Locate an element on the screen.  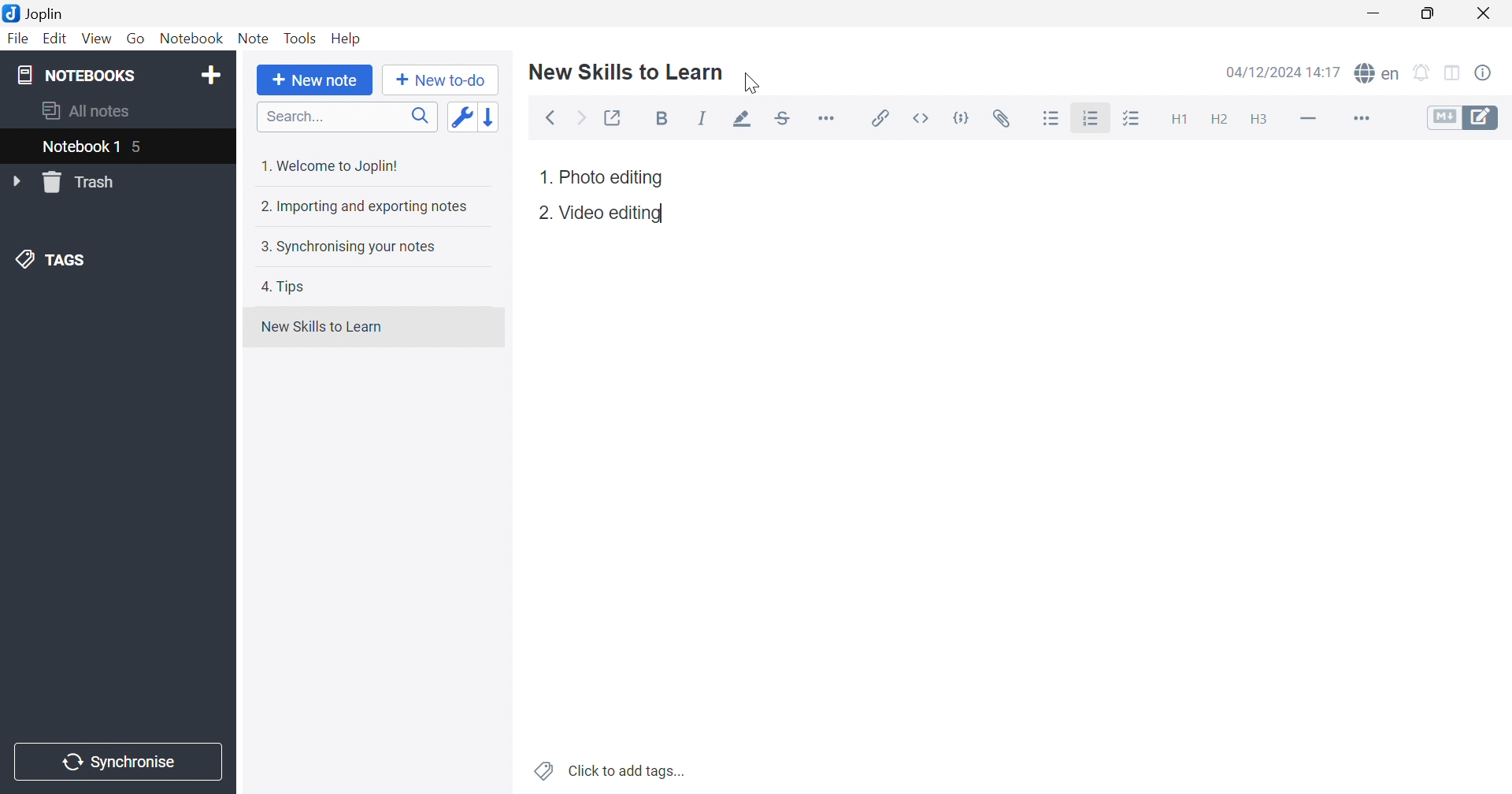
Note is located at coordinates (254, 39).